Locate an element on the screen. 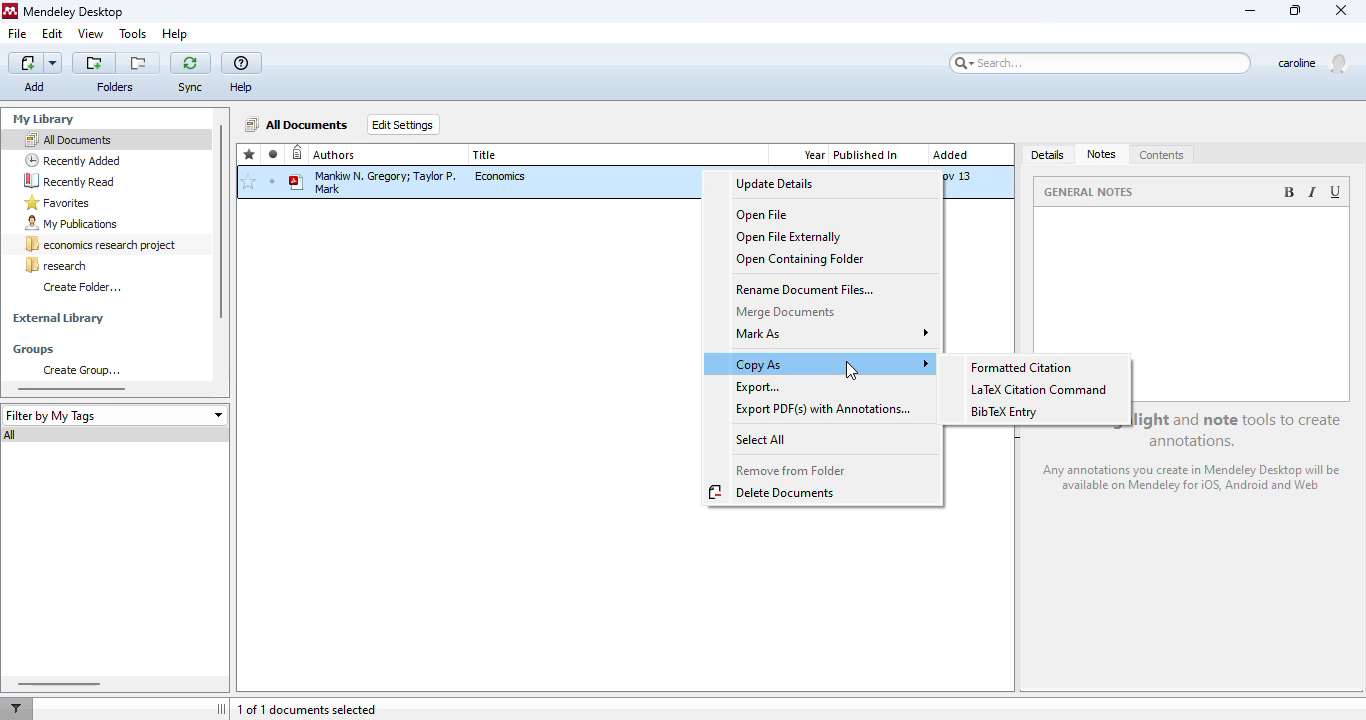 This screenshot has height=720, width=1366. logo is located at coordinates (10, 11).